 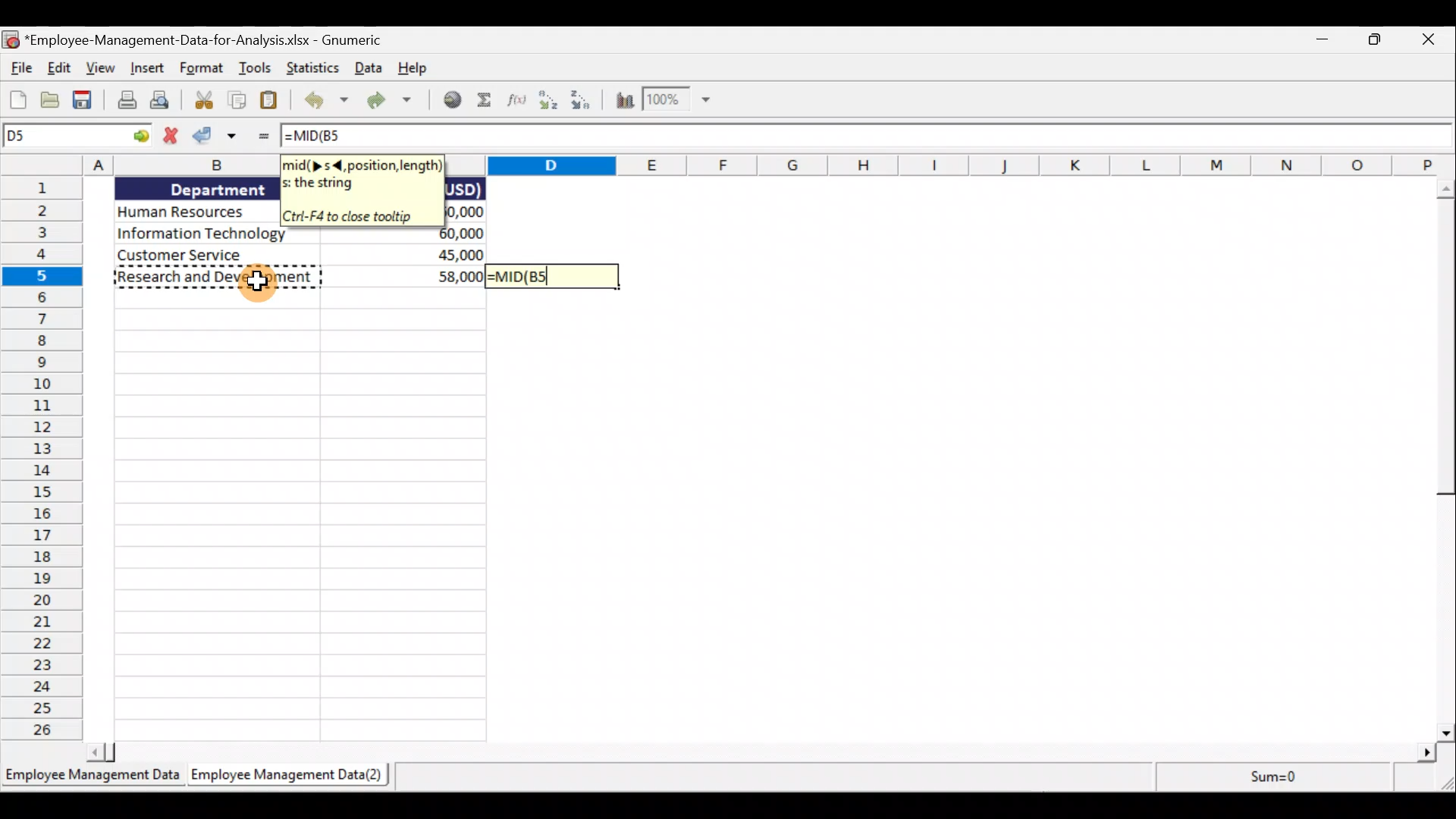 I want to click on sum=0, so click(x=1267, y=777).